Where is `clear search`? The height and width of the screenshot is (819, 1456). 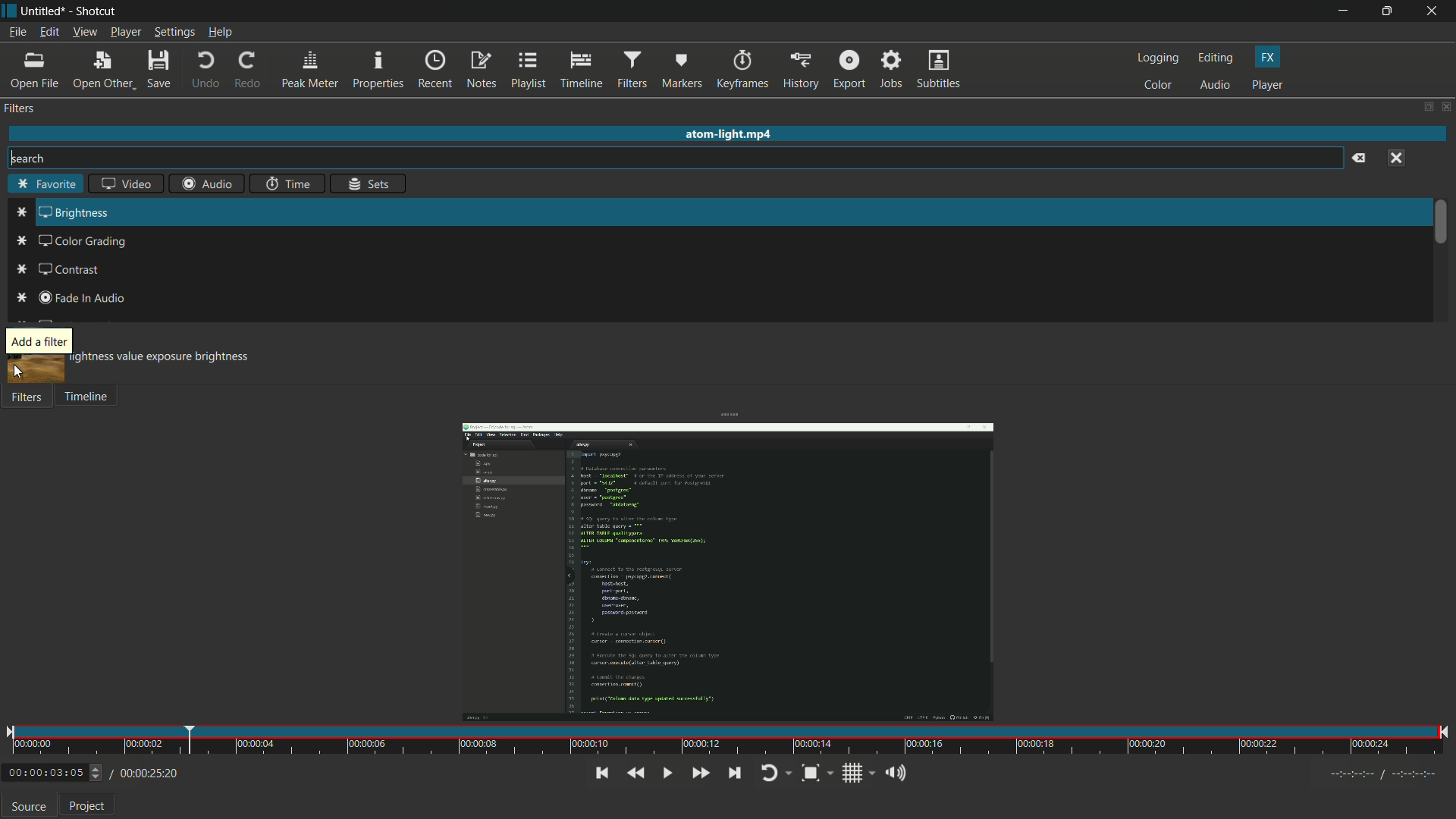 clear search is located at coordinates (1360, 158).